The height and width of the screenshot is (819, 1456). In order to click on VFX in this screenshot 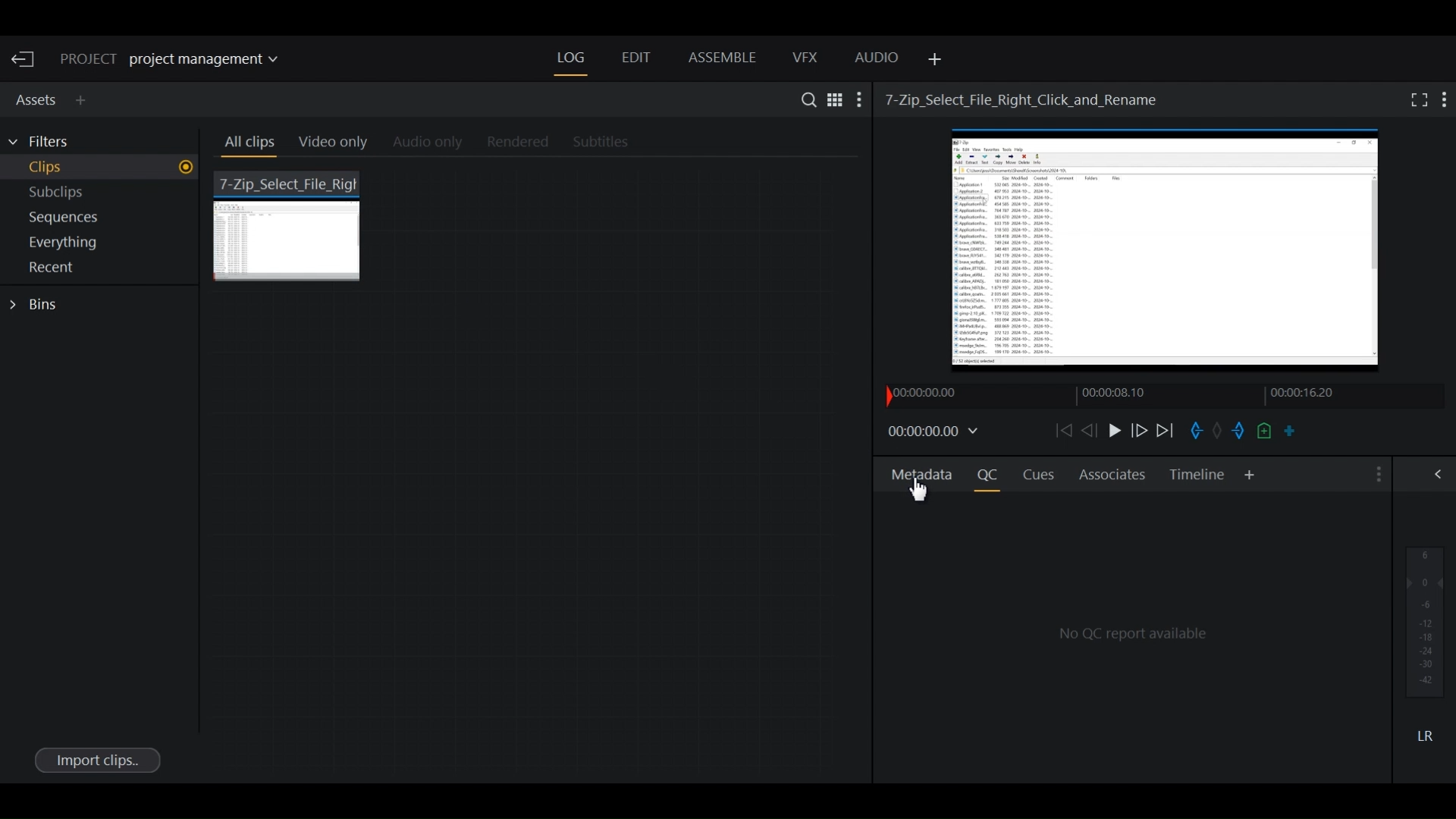, I will do `click(806, 58)`.